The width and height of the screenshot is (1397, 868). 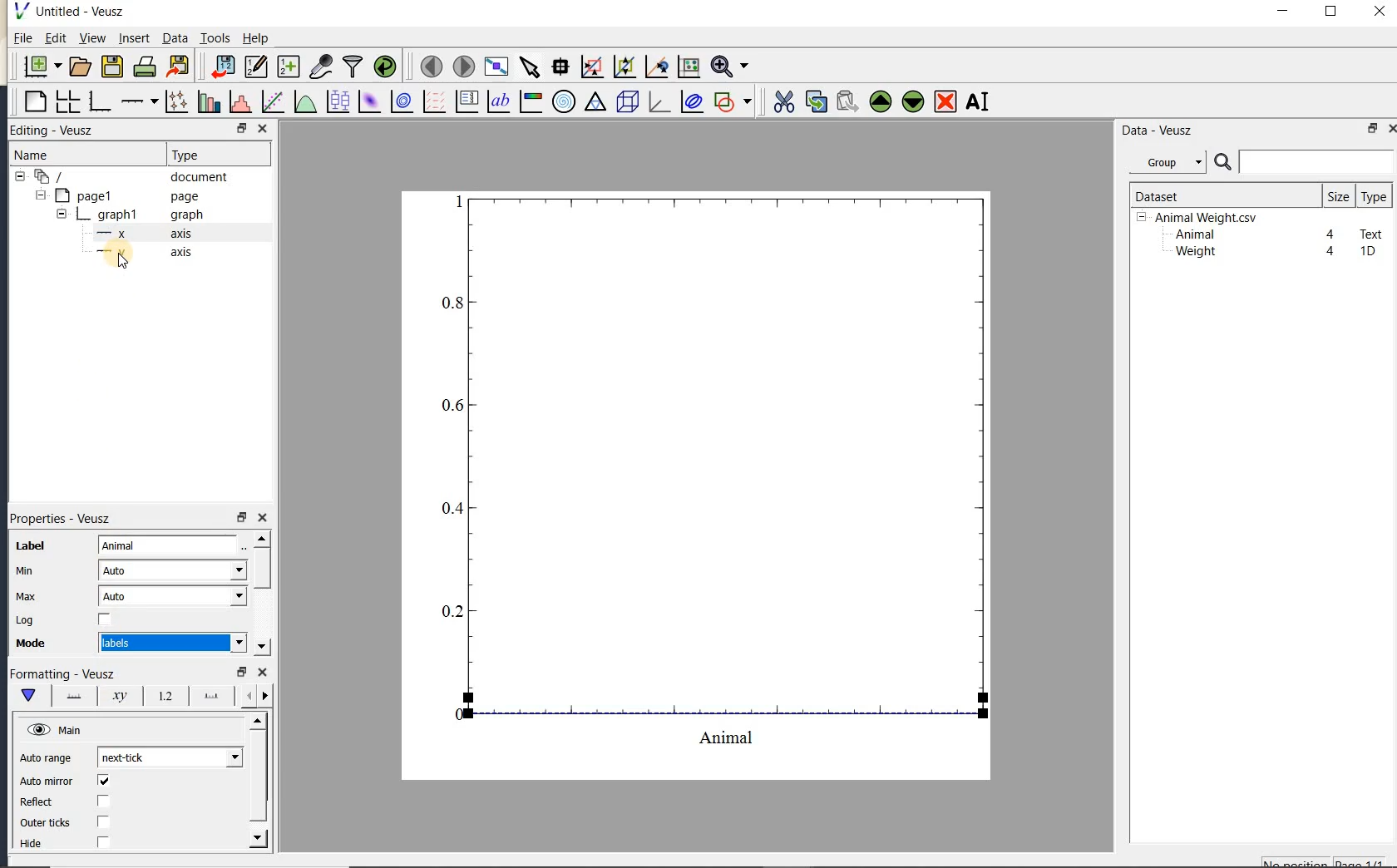 What do you see at coordinates (49, 155) in the screenshot?
I see `Name` at bounding box center [49, 155].